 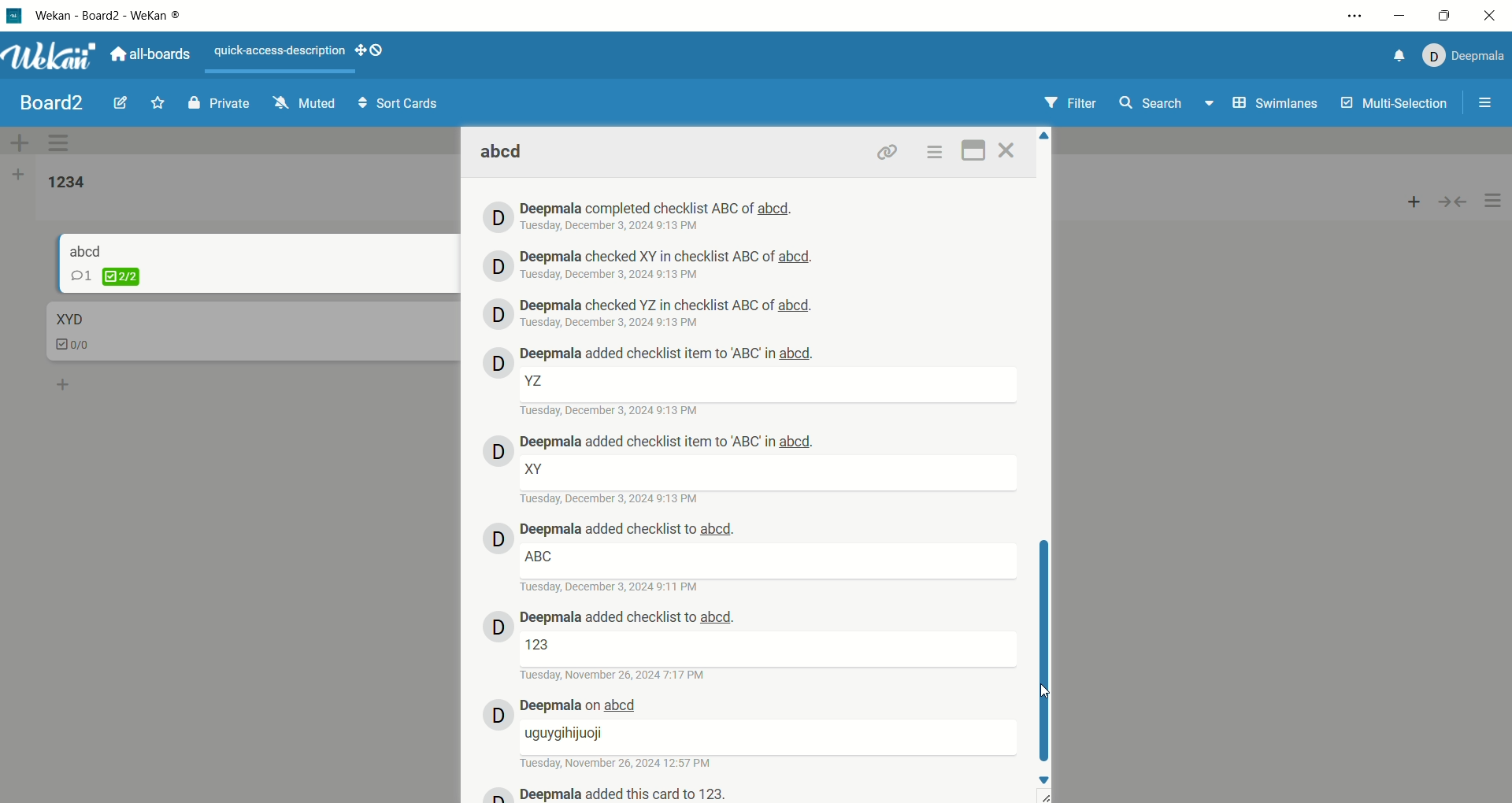 I want to click on date and time, so click(x=613, y=276).